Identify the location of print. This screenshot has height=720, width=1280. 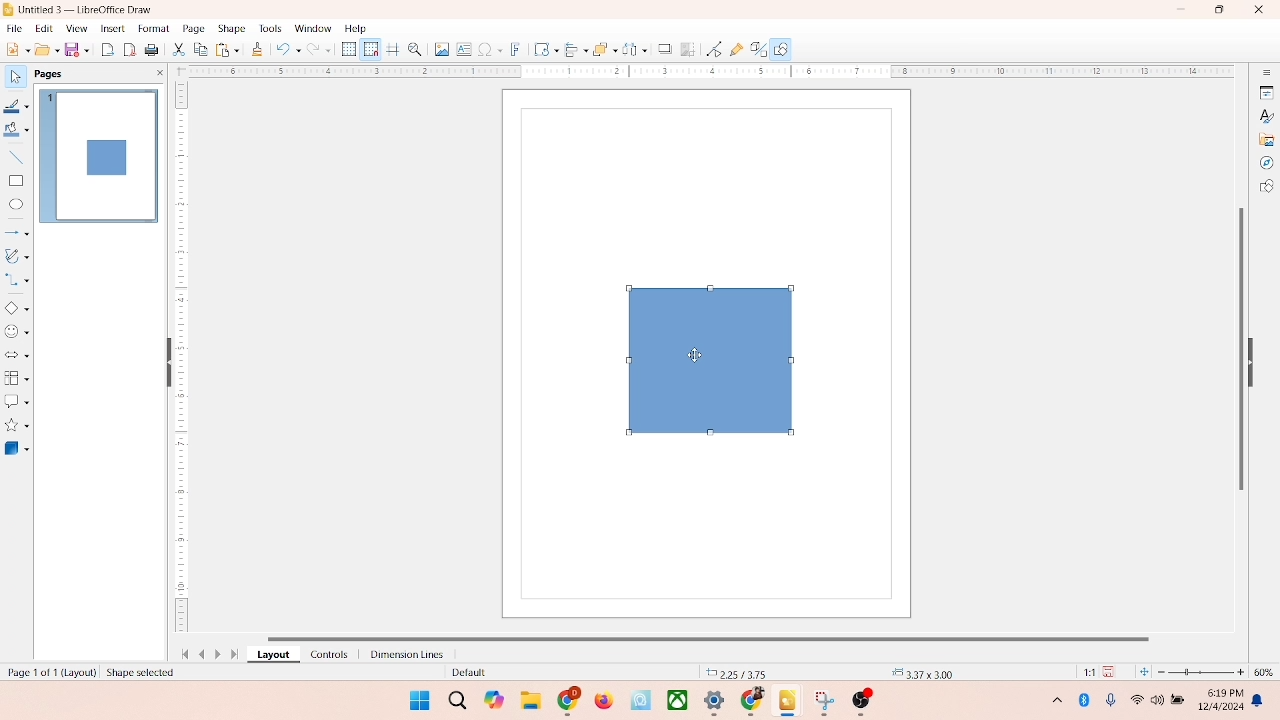
(154, 51).